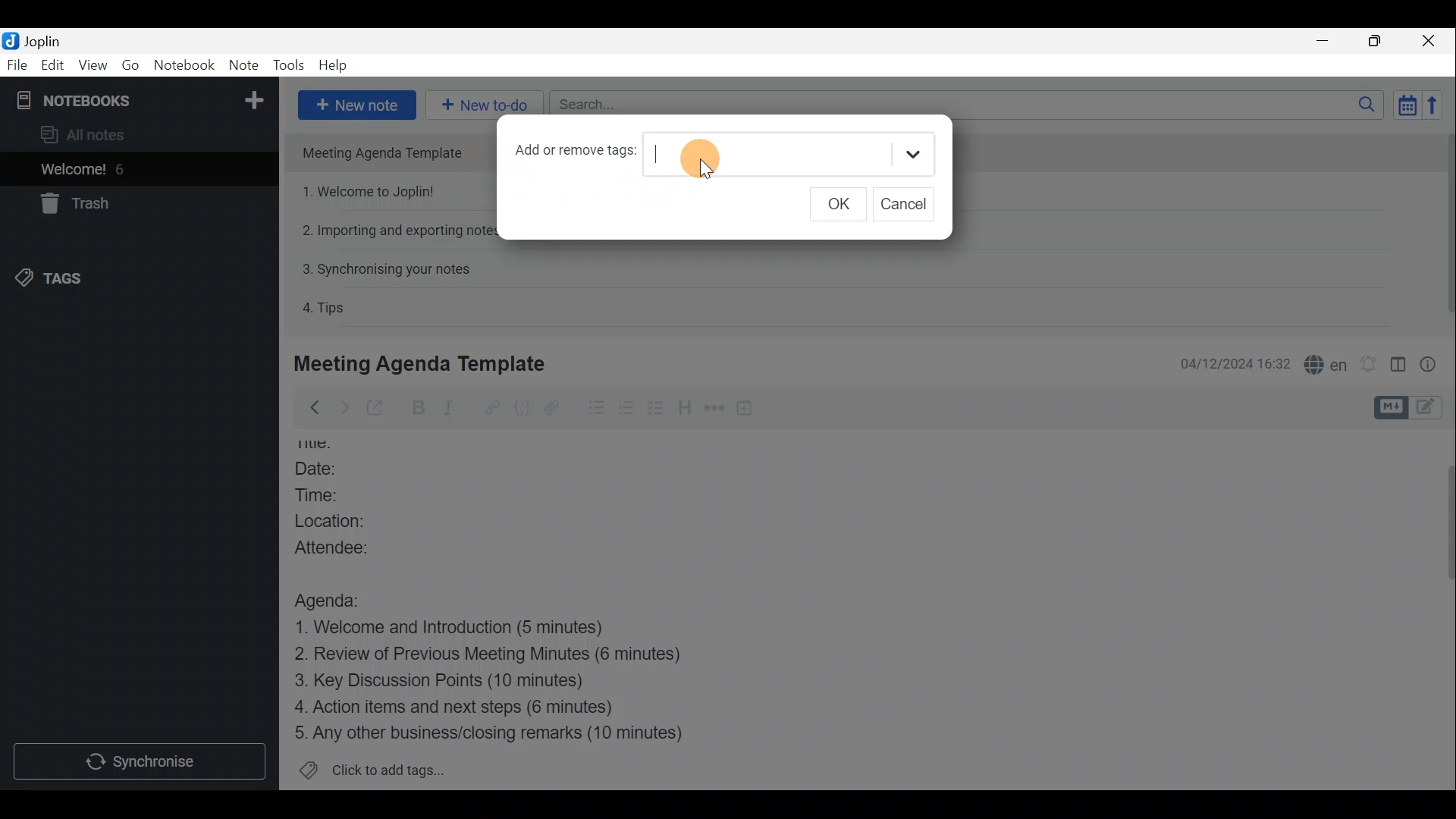 This screenshot has height=819, width=1456. What do you see at coordinates (1228, 362) in the screenshot?
I see `04/12/2024 16:32` at bounding box center [1228, 362].